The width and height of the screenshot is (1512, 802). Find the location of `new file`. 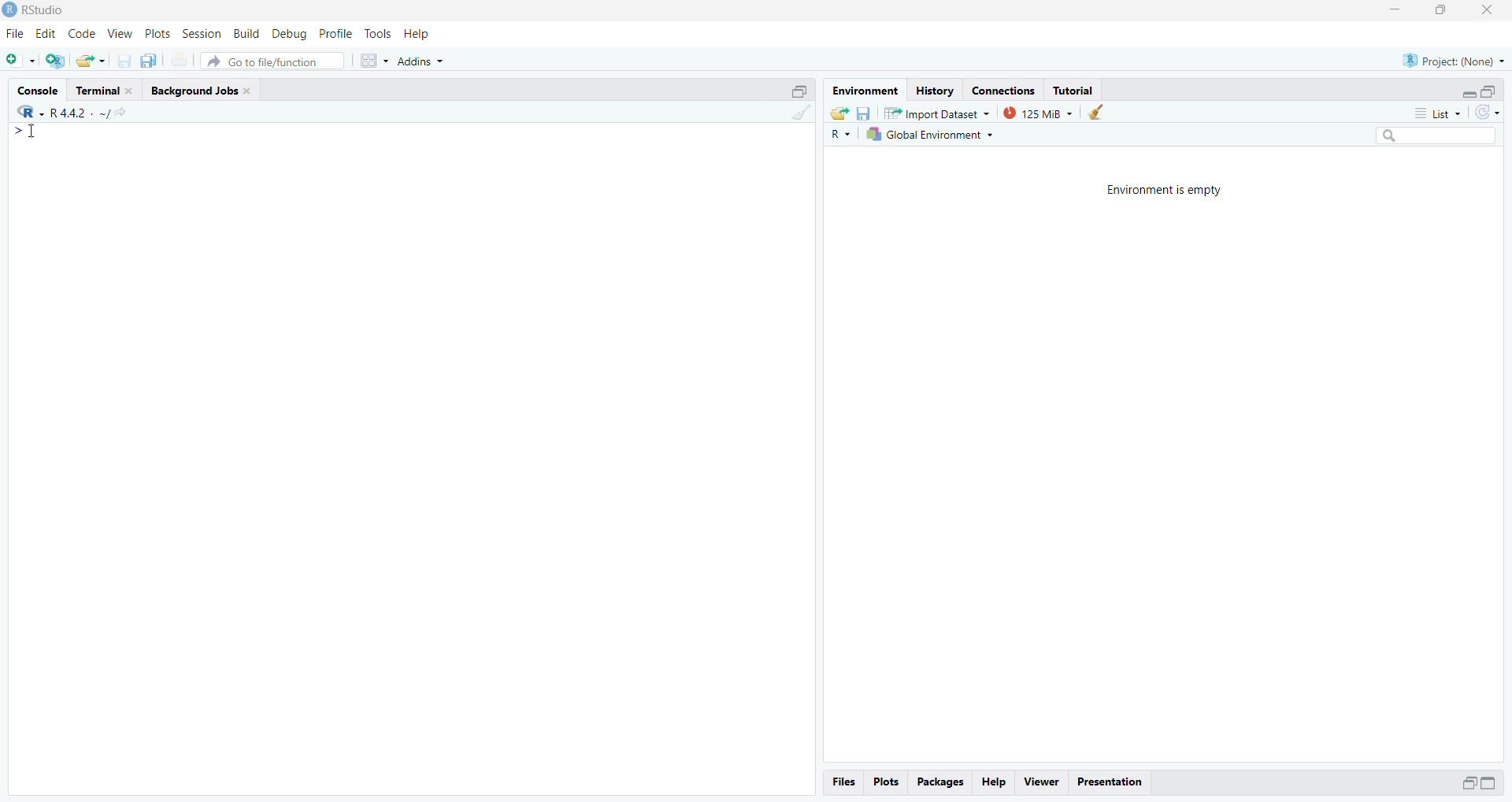

new file is located at coordinates (21, 61).